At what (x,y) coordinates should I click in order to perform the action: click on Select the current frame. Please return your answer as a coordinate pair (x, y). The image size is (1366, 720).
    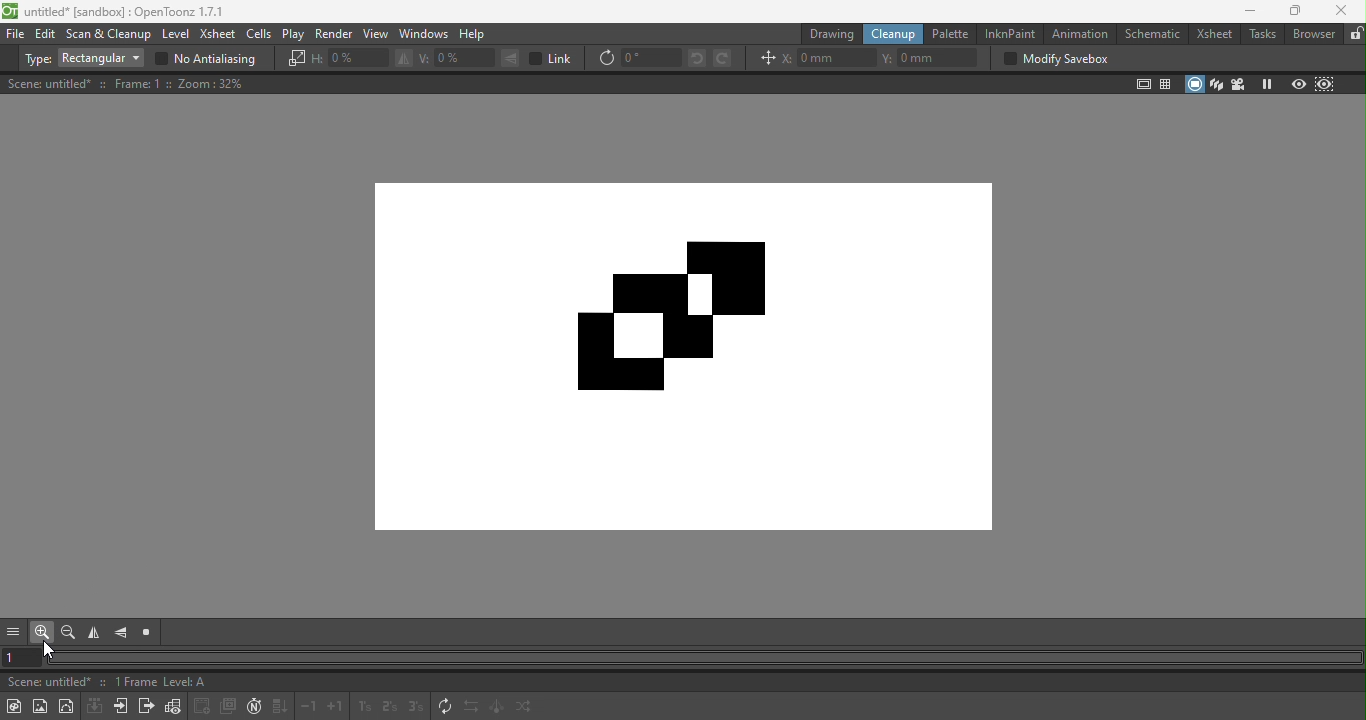
    Looking at the image, I should click on (23, 657).